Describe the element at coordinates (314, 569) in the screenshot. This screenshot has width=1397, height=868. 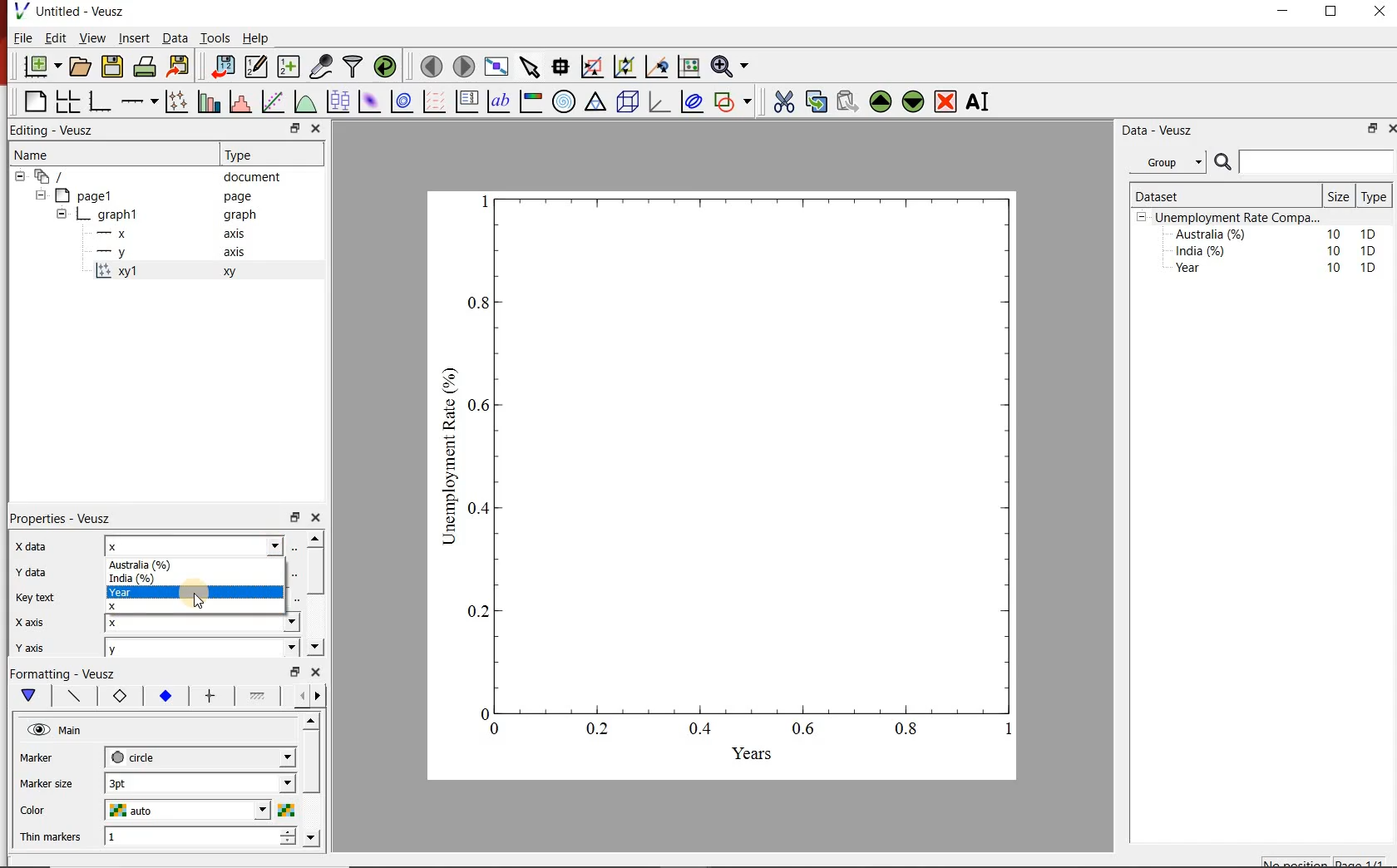
I see `scroll bar` at that location.